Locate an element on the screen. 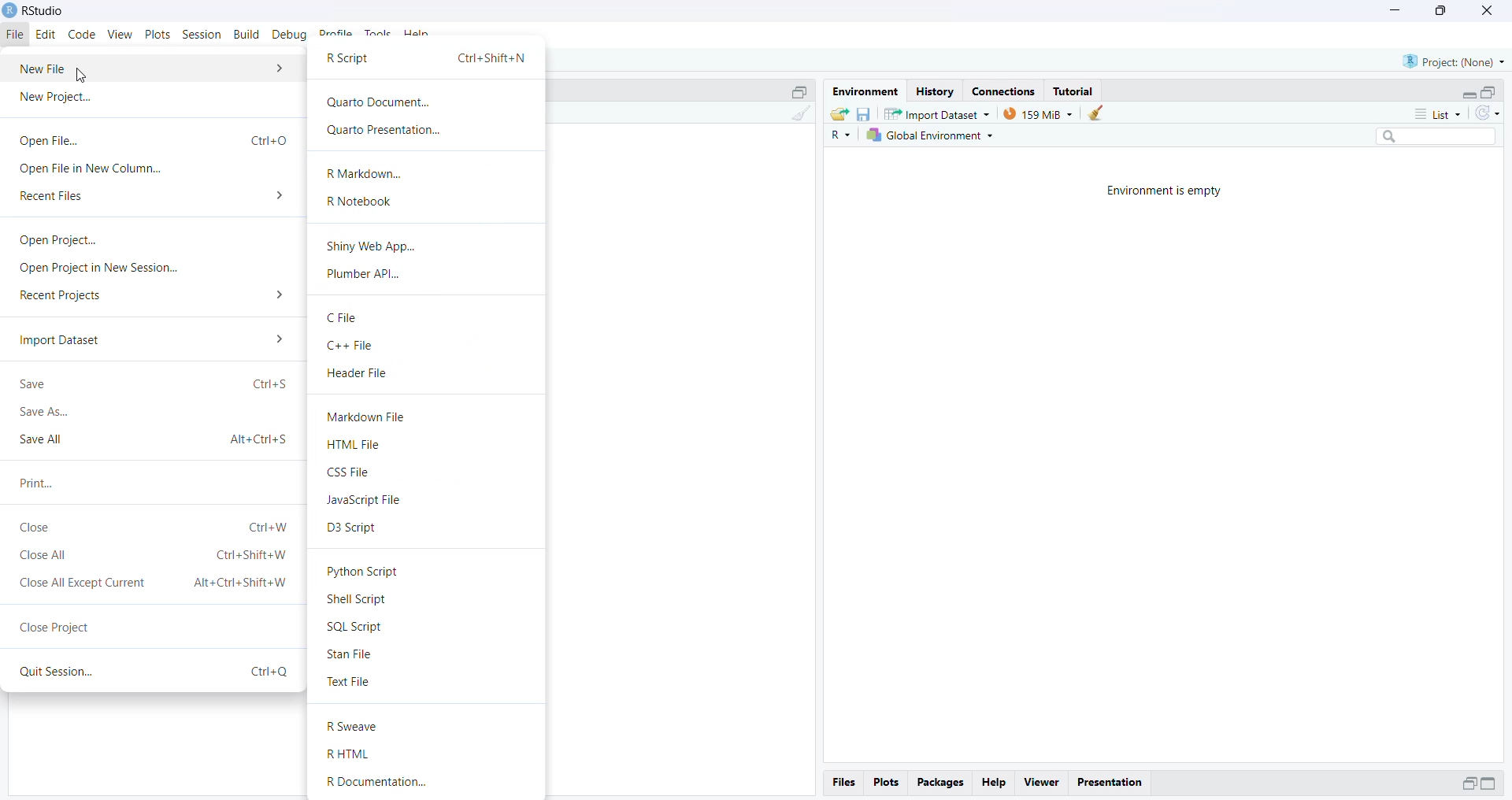 Image resolution: width=1512 pixels, height=800 pixels. Shiny Web App... is located at coordinates (371, 246).